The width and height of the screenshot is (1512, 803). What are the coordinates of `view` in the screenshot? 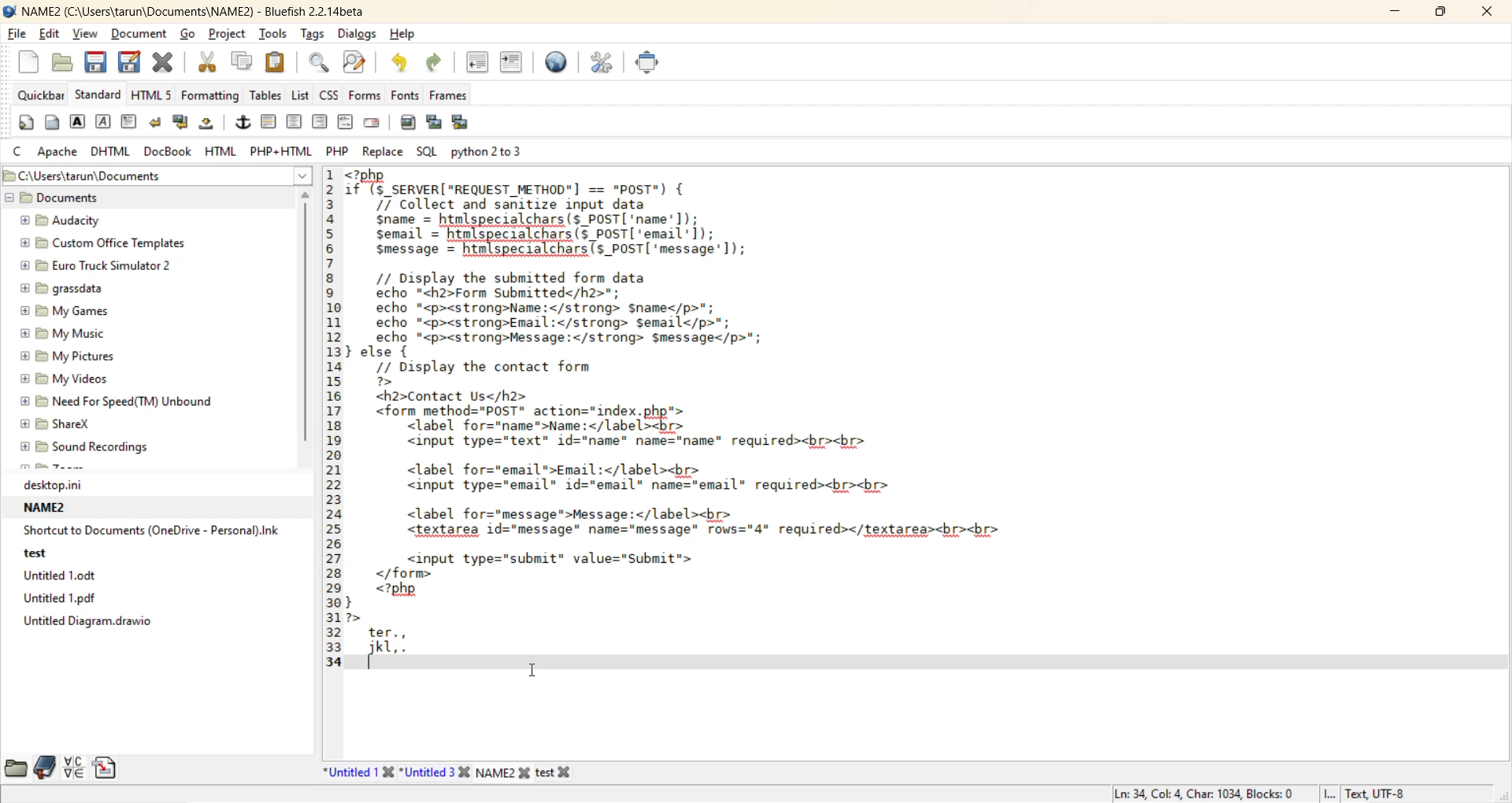 It's located at (86, 33).